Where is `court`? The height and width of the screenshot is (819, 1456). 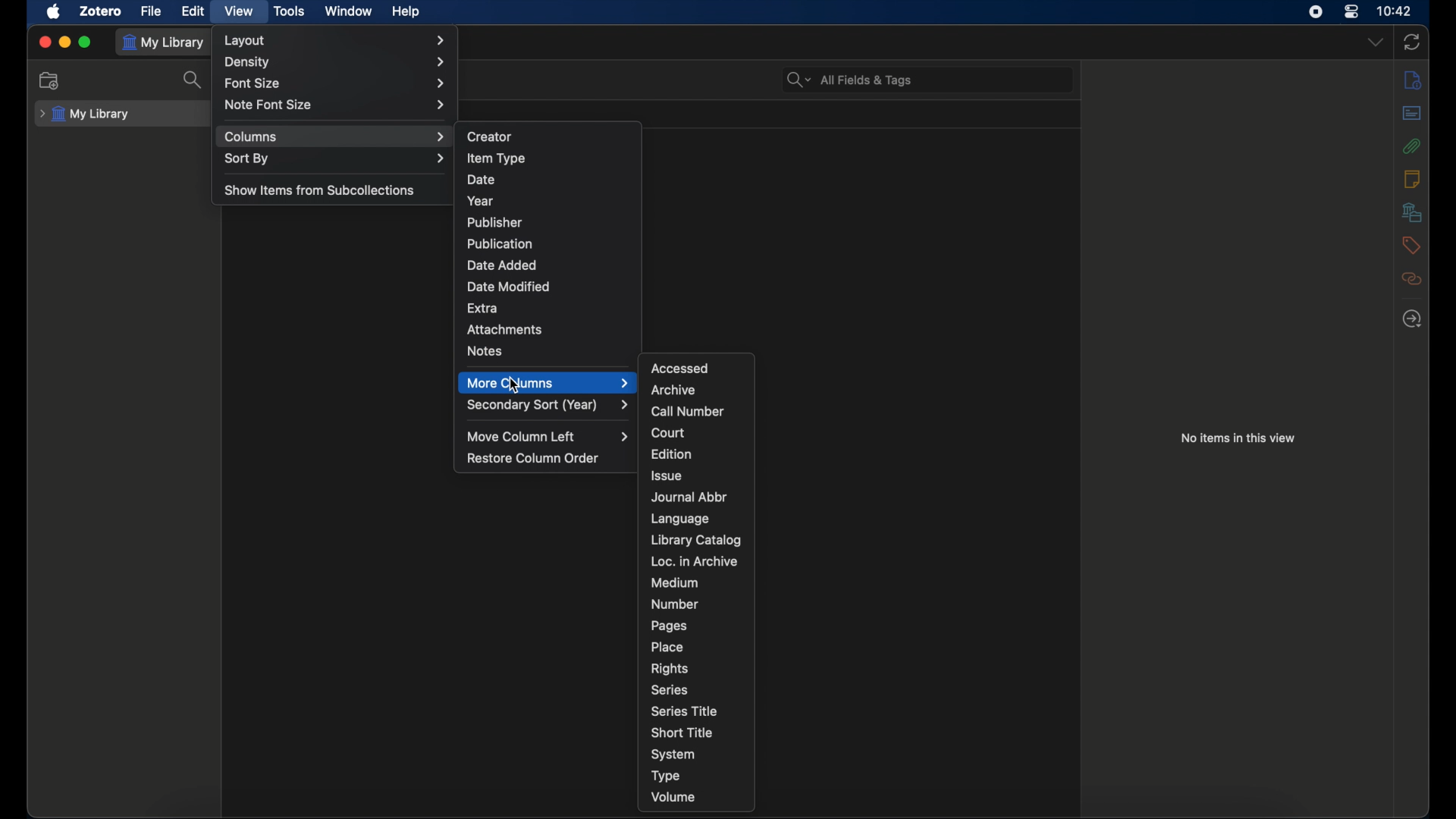
court is located at coordinates (669, 433).